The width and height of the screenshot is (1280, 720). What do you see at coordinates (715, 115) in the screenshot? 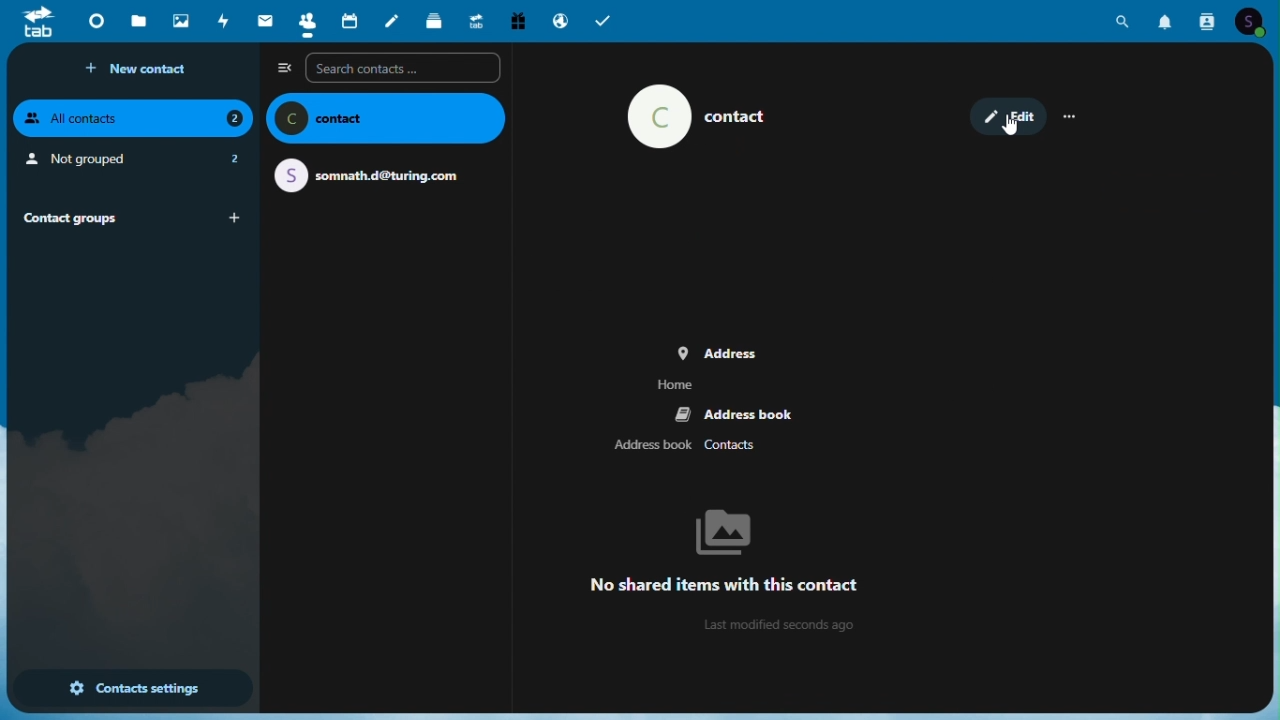
I see `contact` at bounding box center [715, 115].